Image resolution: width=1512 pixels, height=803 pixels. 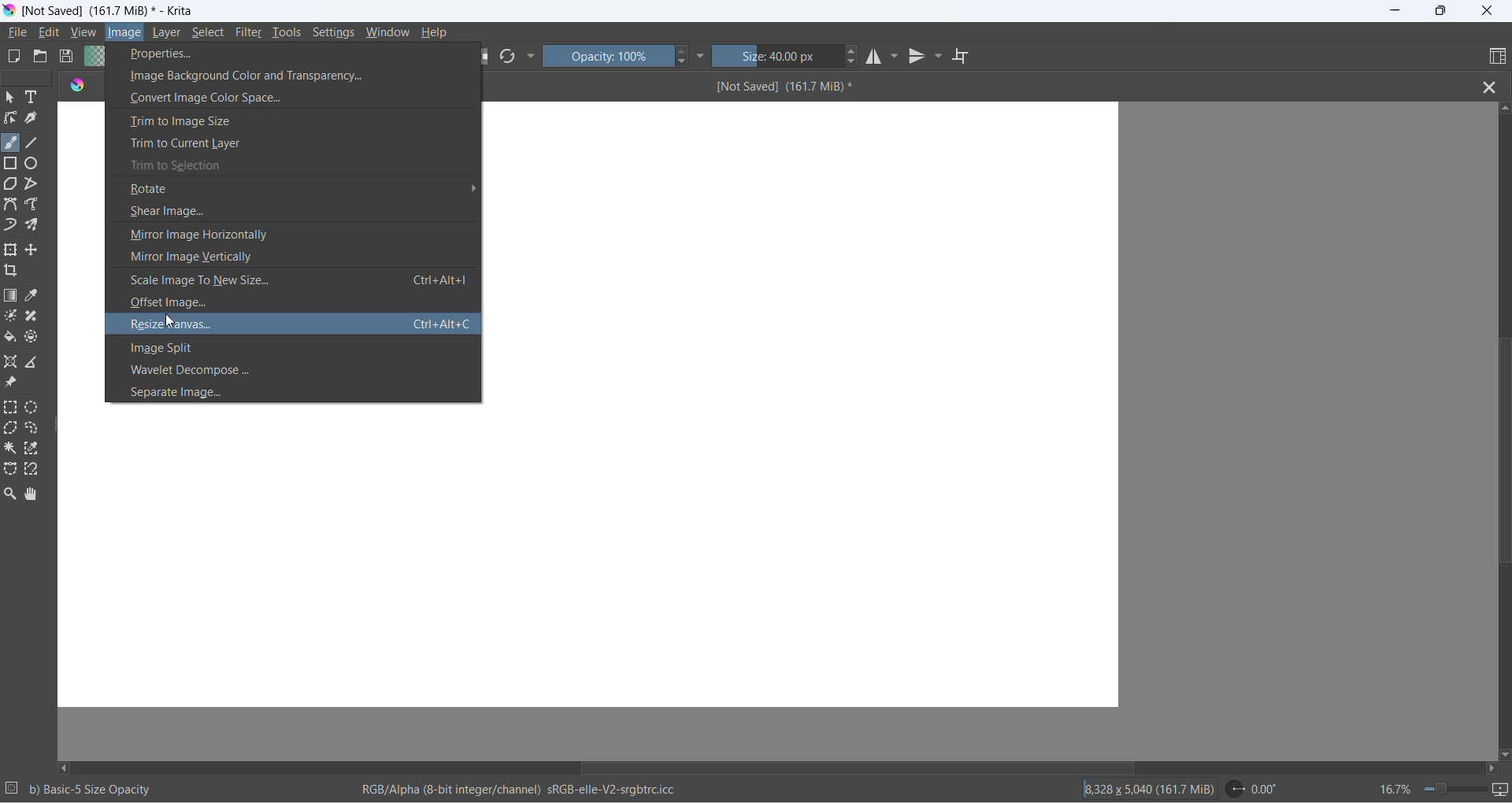 I want to click on tools, so click(x=289, y=35).